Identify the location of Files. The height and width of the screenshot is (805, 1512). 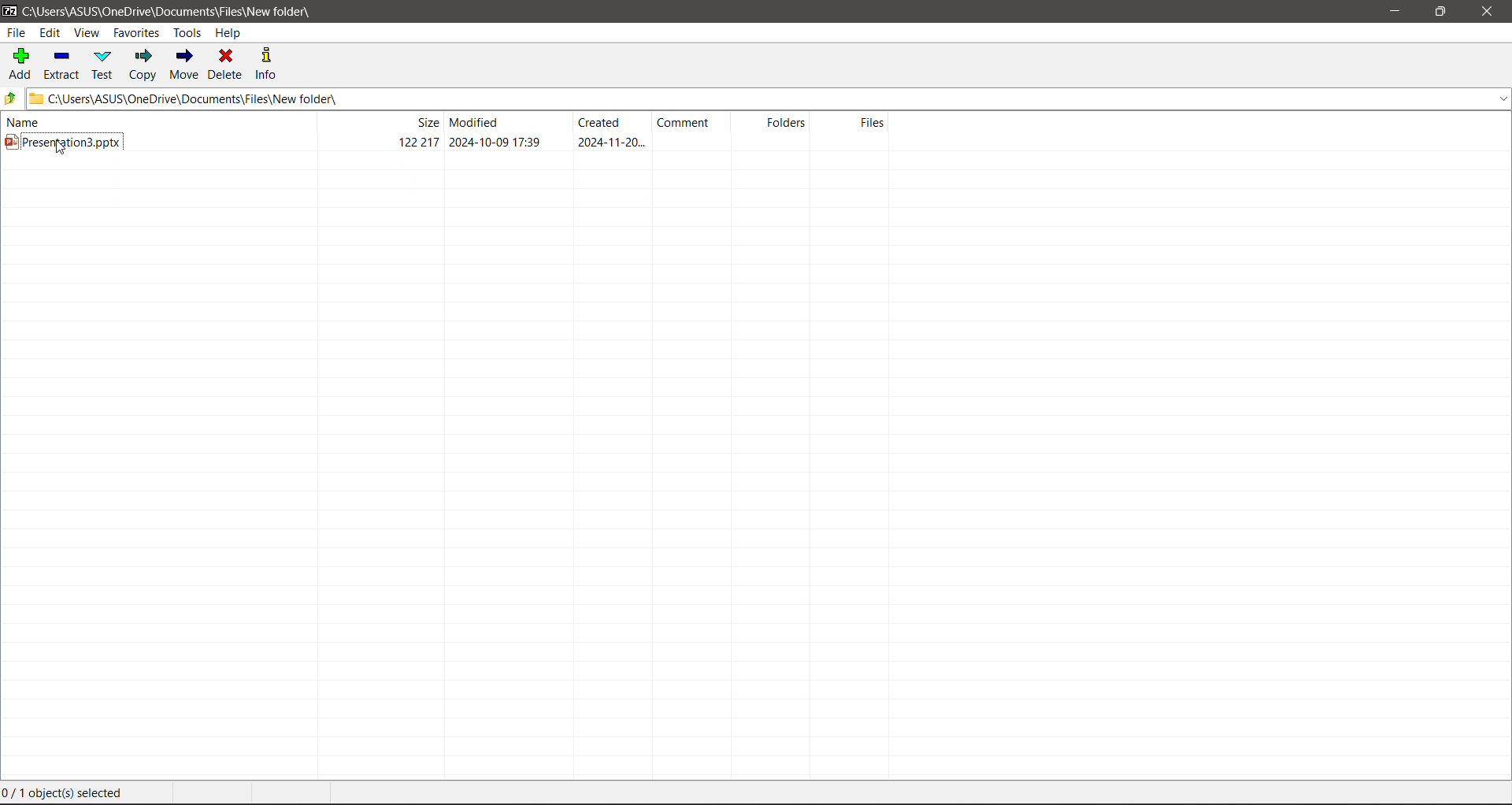
(856, 123).